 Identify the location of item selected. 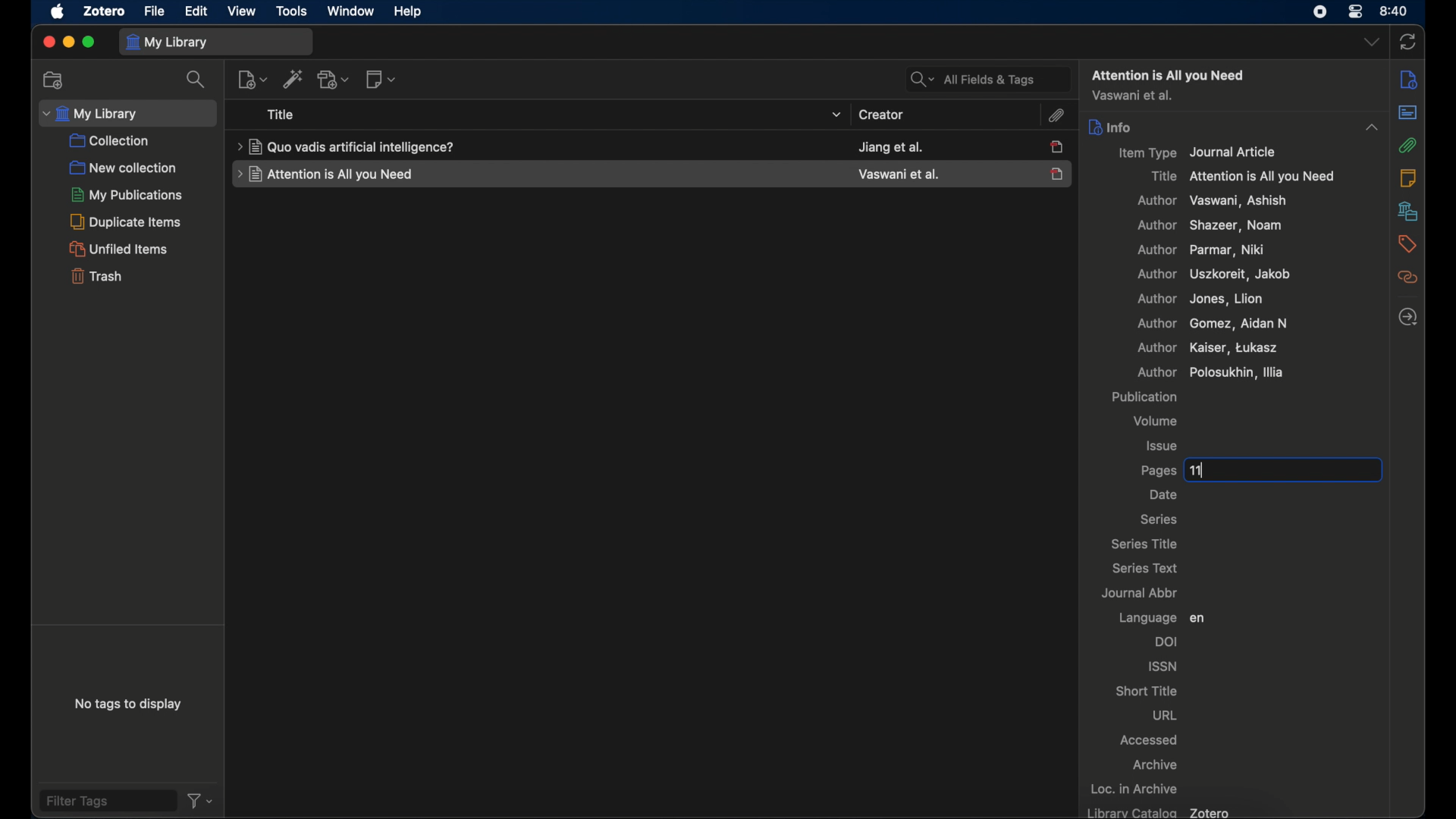
(1059, 173).